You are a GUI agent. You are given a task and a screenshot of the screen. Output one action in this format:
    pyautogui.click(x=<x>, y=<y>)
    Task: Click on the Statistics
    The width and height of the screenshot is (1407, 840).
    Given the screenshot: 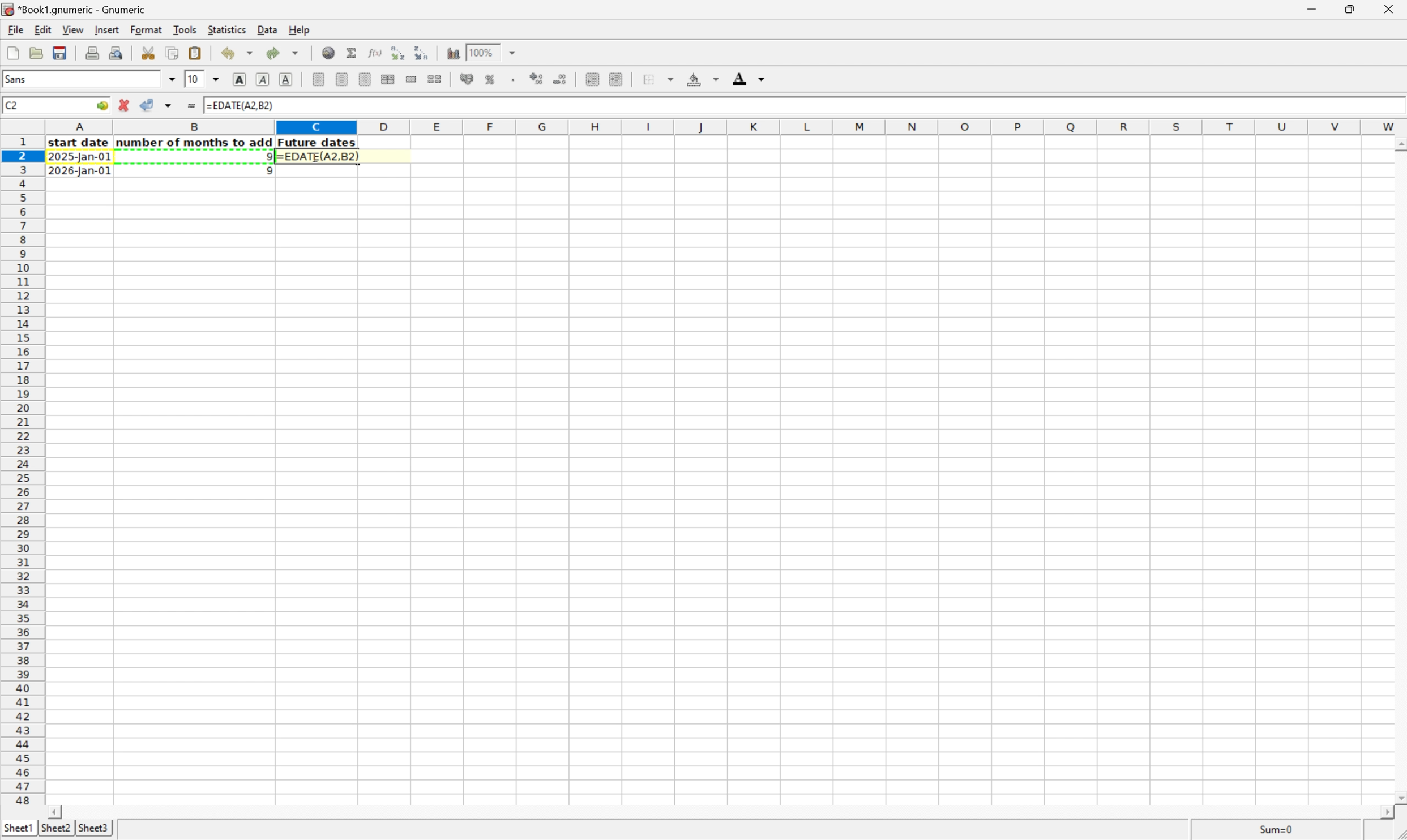 What is the action you would take?
    pyautogui.click(x=227, y=28)
    